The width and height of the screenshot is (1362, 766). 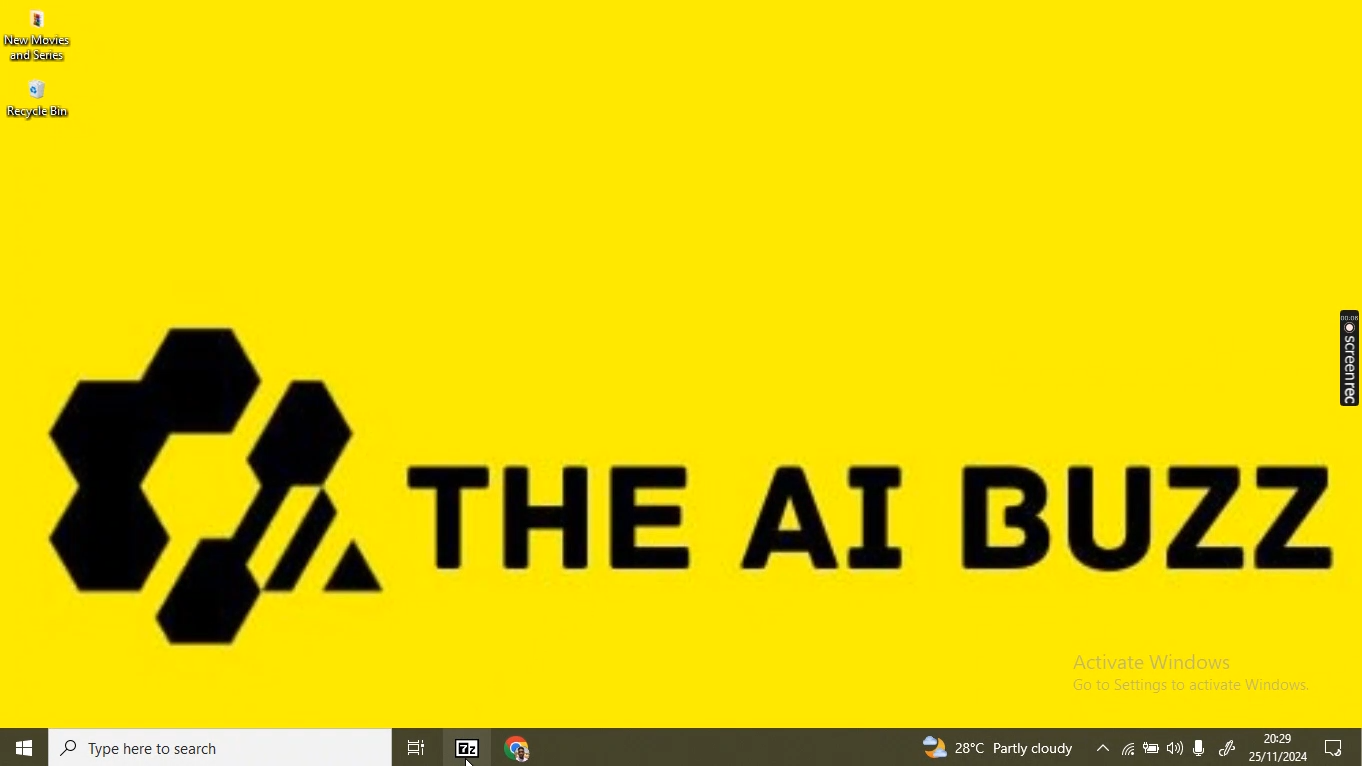 I want to click on widows ink workspace, so click(x=1228, y=750).